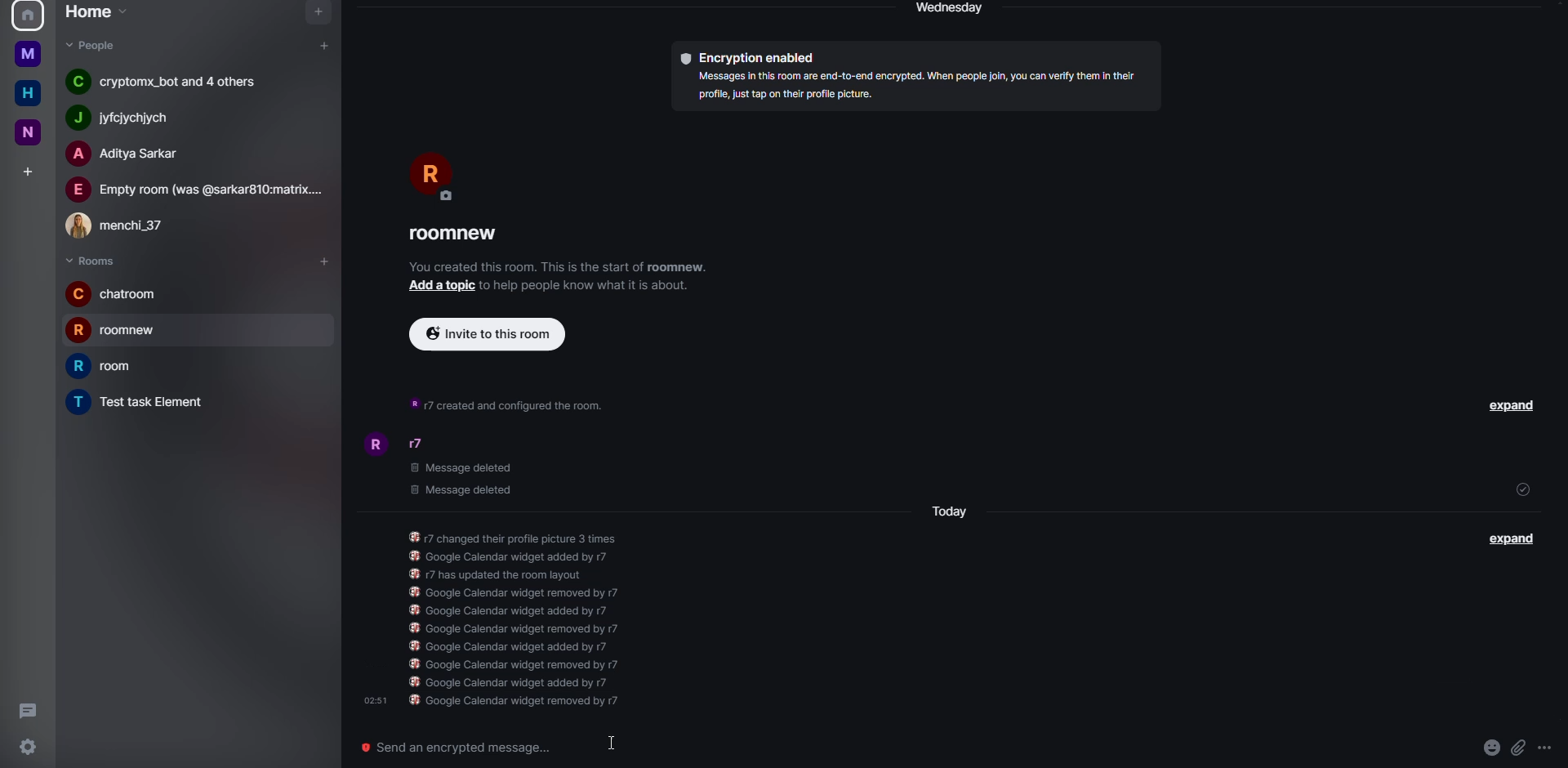 The image size is (1568, 768). What do you see at coordinates (320, 260) in the screenshot?
I see `add` at bounding box center [320, 260].